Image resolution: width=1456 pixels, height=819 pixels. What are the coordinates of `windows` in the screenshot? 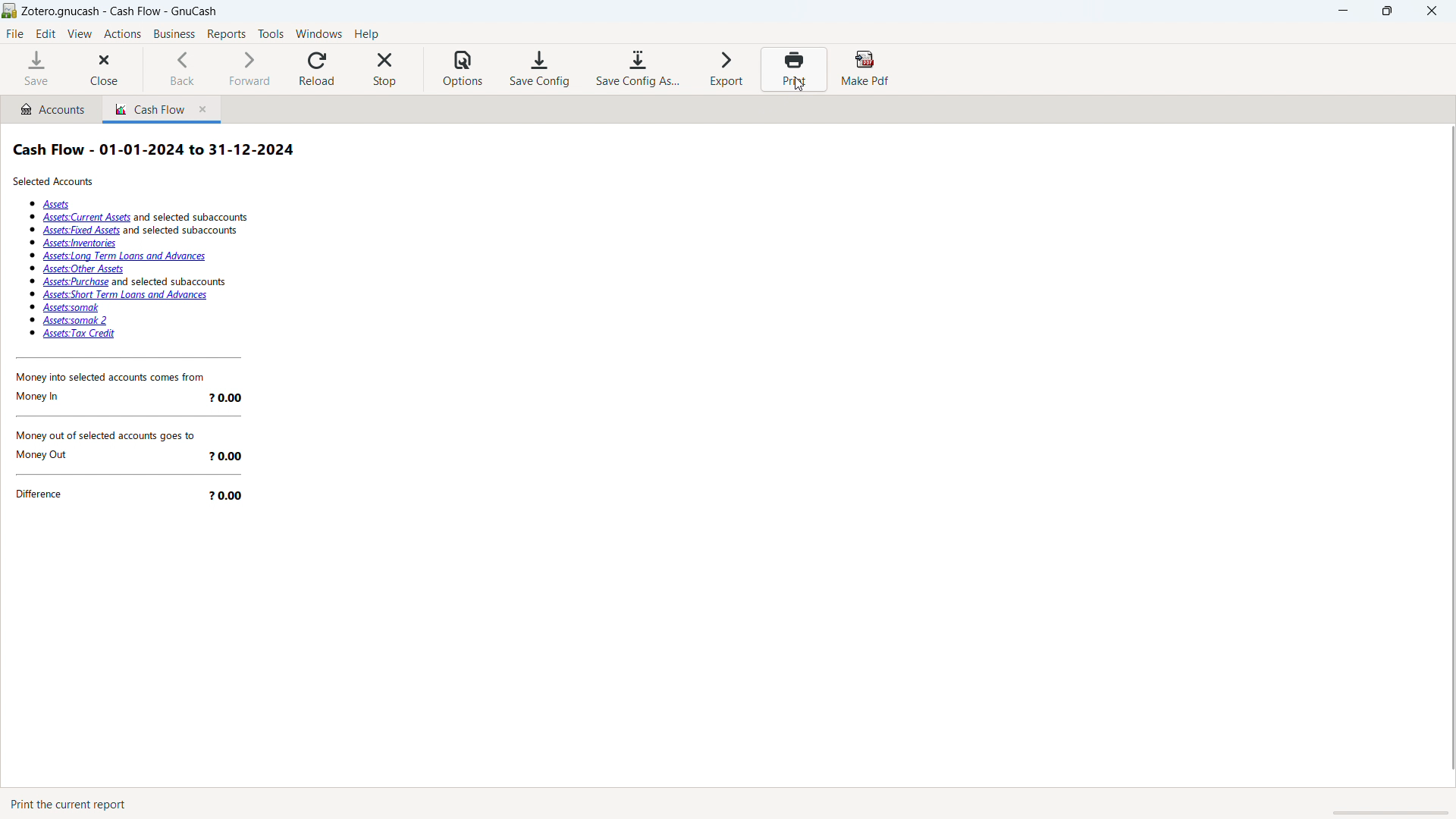 It's located at (319, 33).